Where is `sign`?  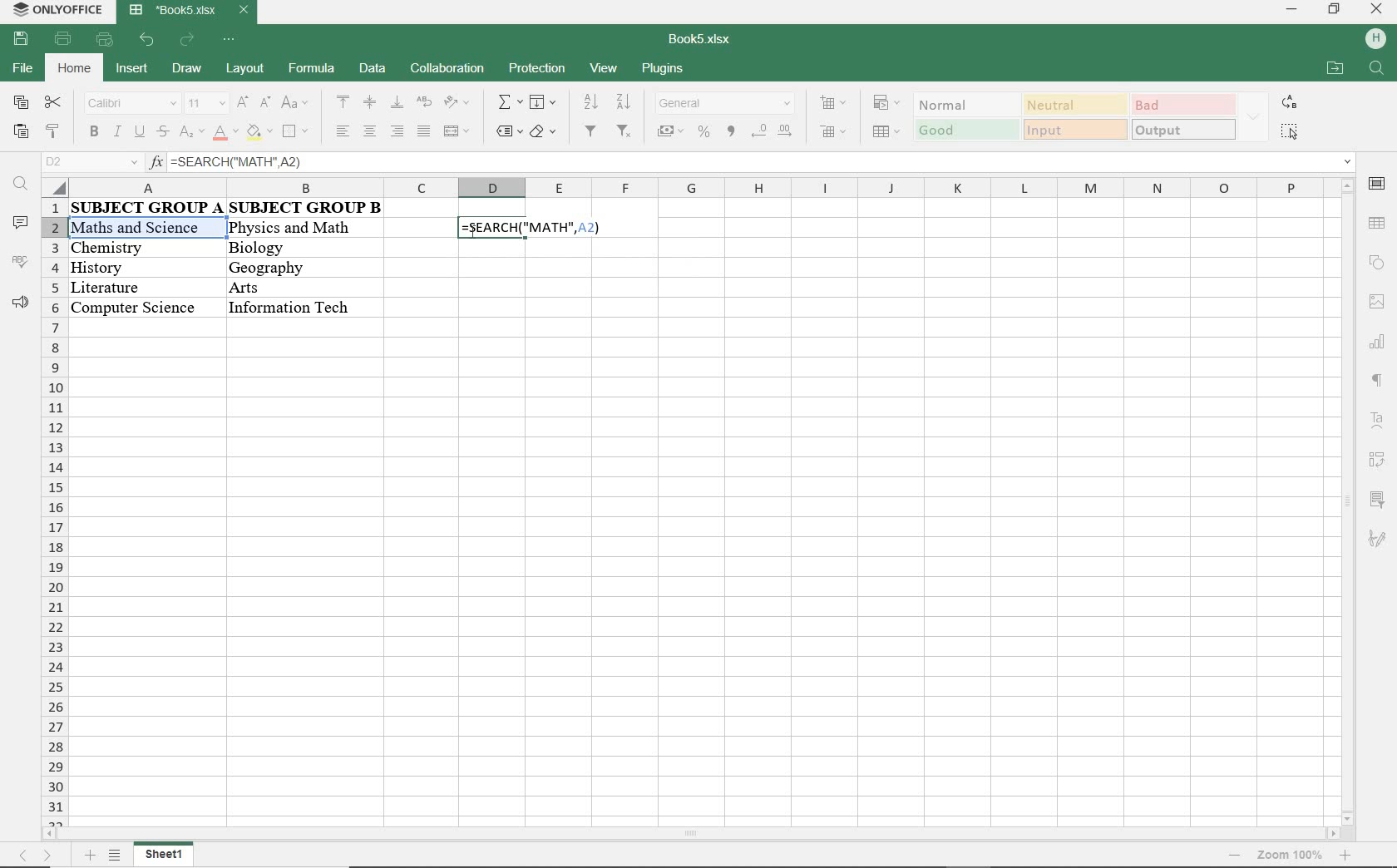
sign is located at coordinates (1372, 417).